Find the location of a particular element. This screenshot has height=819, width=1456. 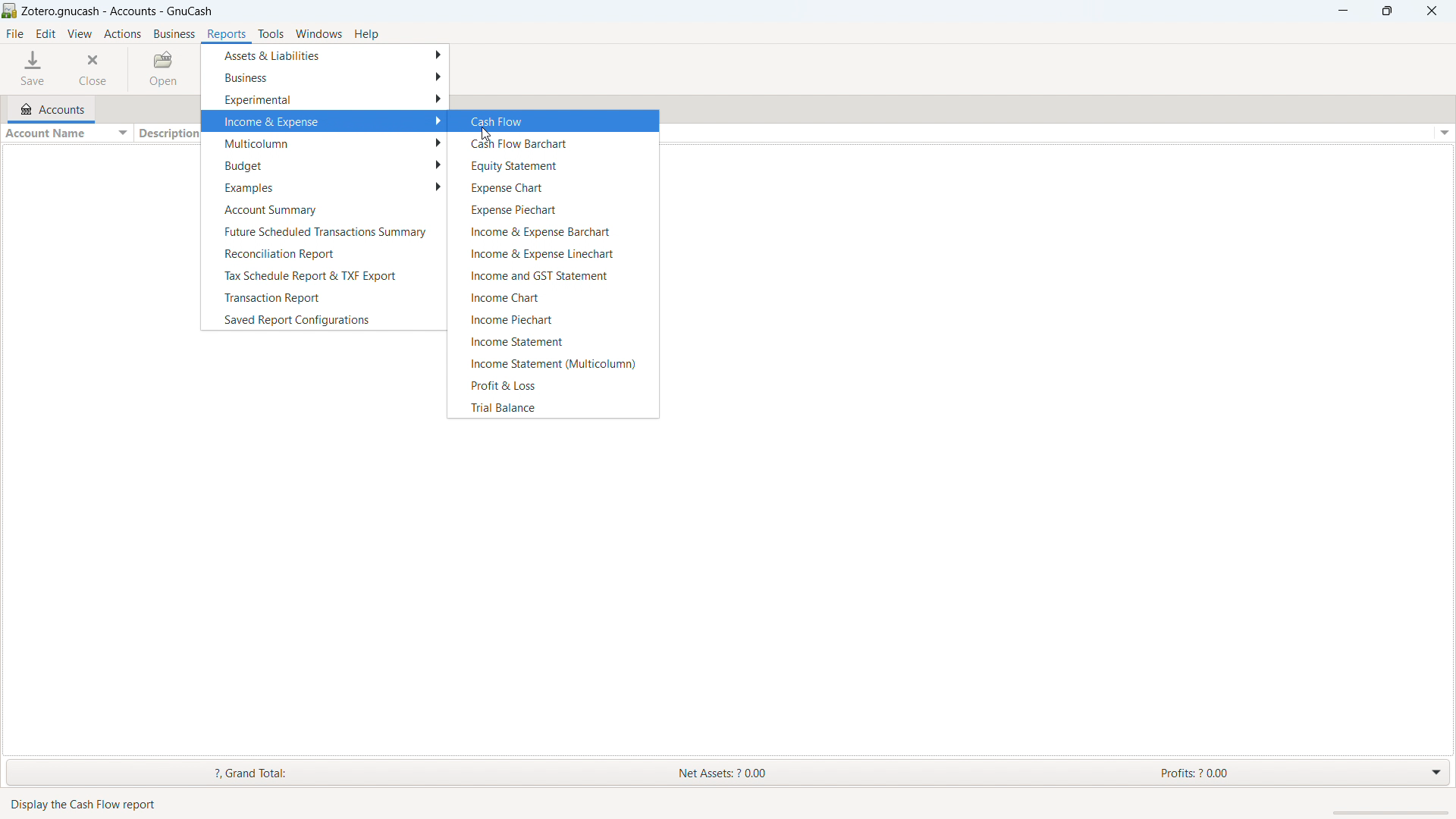

experimental is located at coordinates (326, 99).